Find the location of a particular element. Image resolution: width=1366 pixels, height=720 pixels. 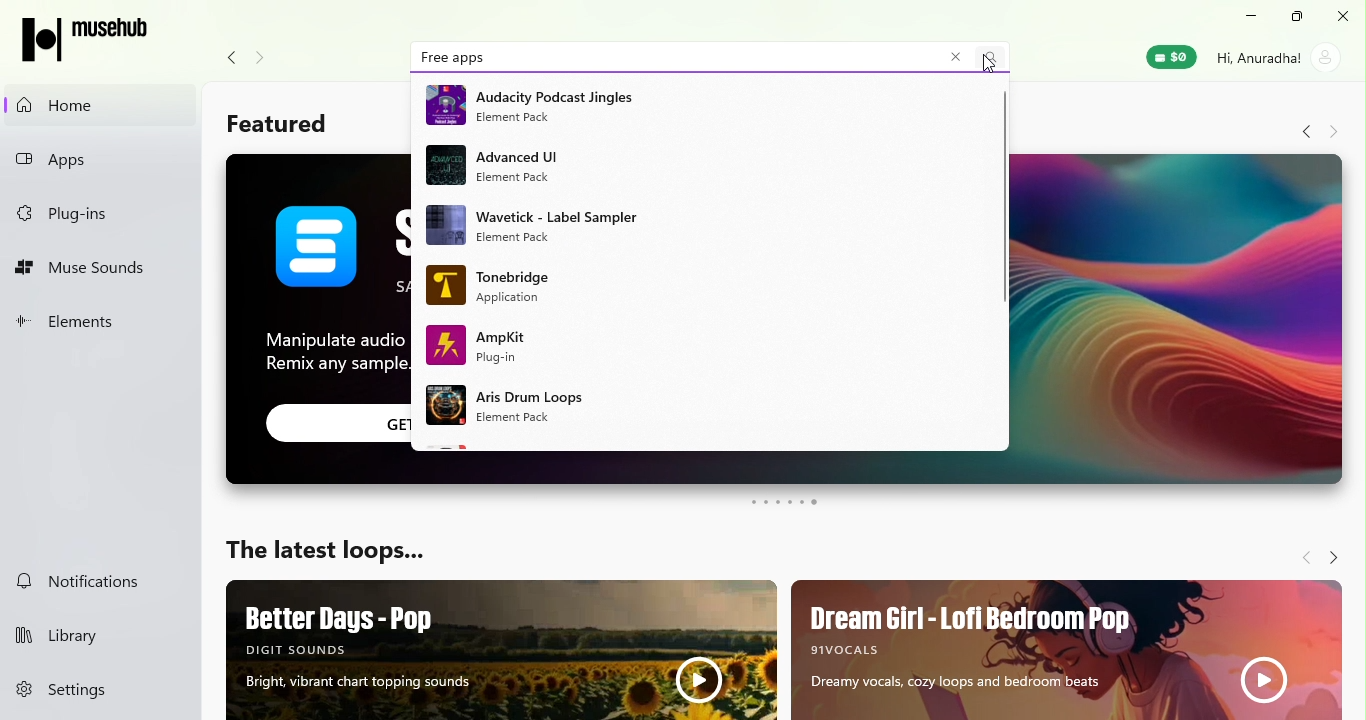

Ad is located at coordinates (704, 347).